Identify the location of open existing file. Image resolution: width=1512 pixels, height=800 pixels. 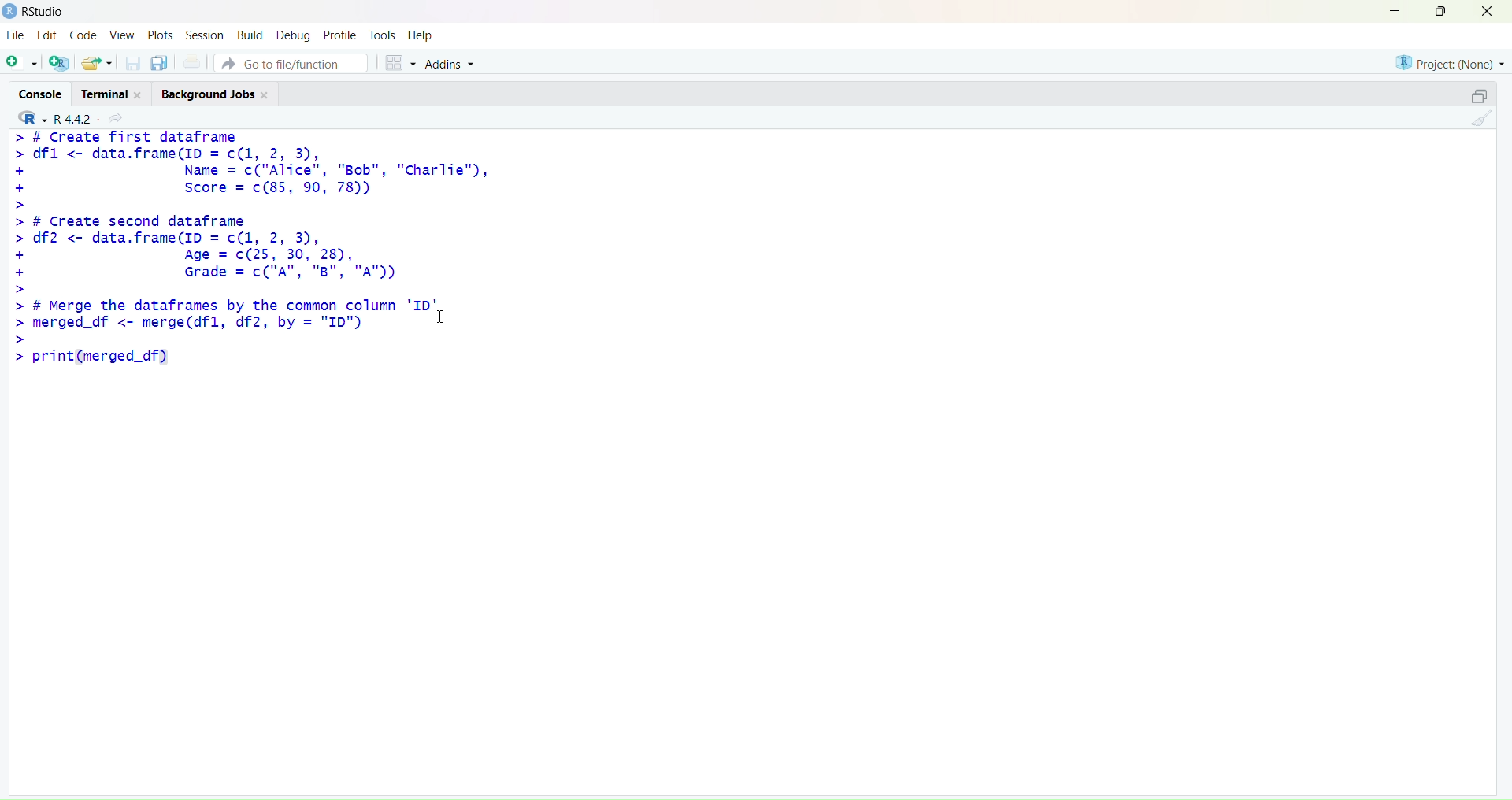
(99, 63).